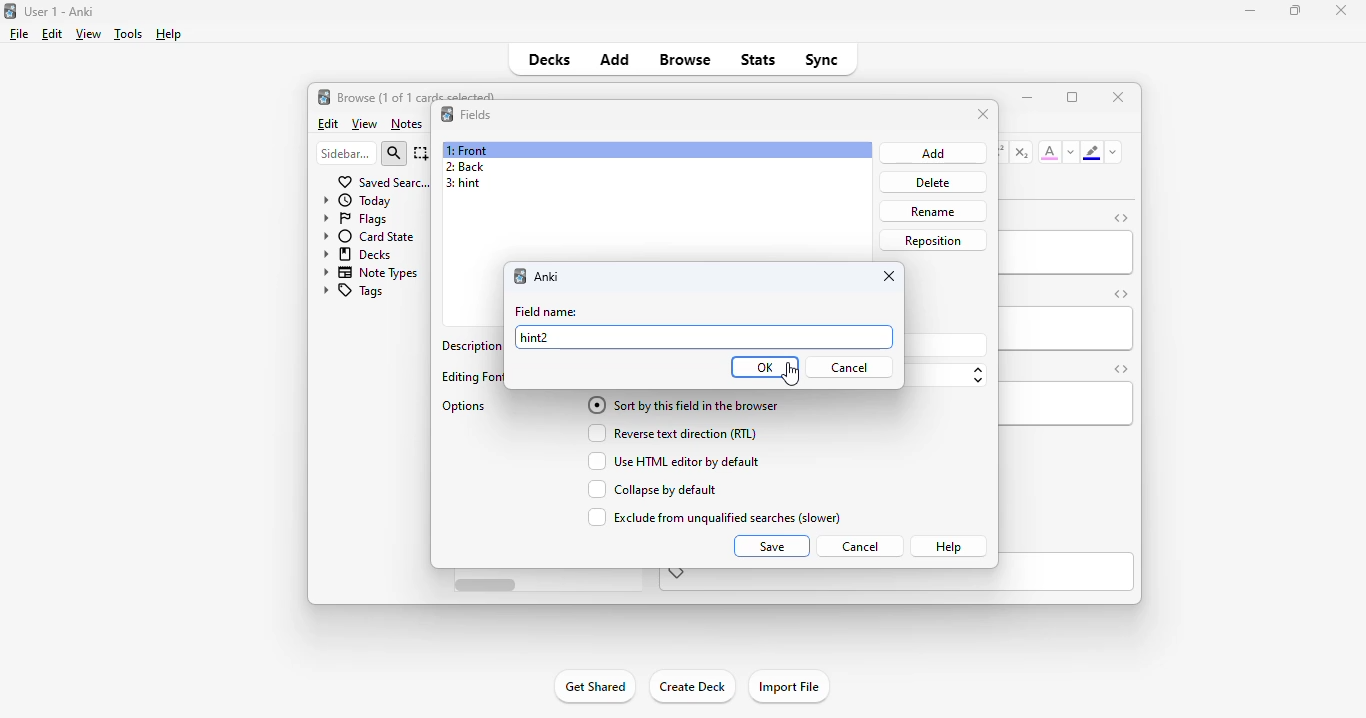  What do you see at coordinates (534, 337) in the screenshot?
I see `hint2` at bounding box center [534, 337].